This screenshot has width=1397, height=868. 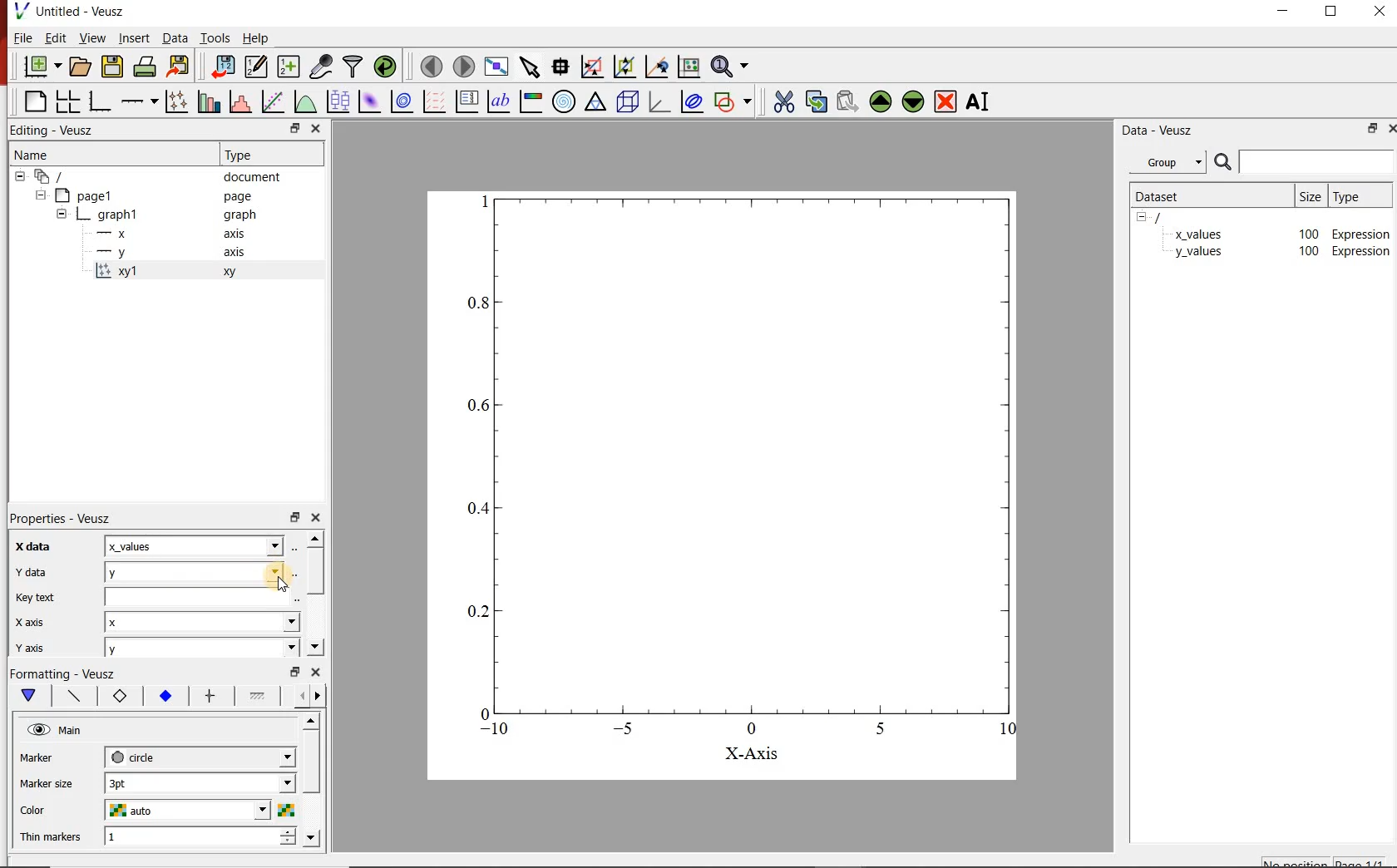 What do you see at coordinates (1358, 197) in the screenshot?
I see `type` at bounding box center [1358, 197].